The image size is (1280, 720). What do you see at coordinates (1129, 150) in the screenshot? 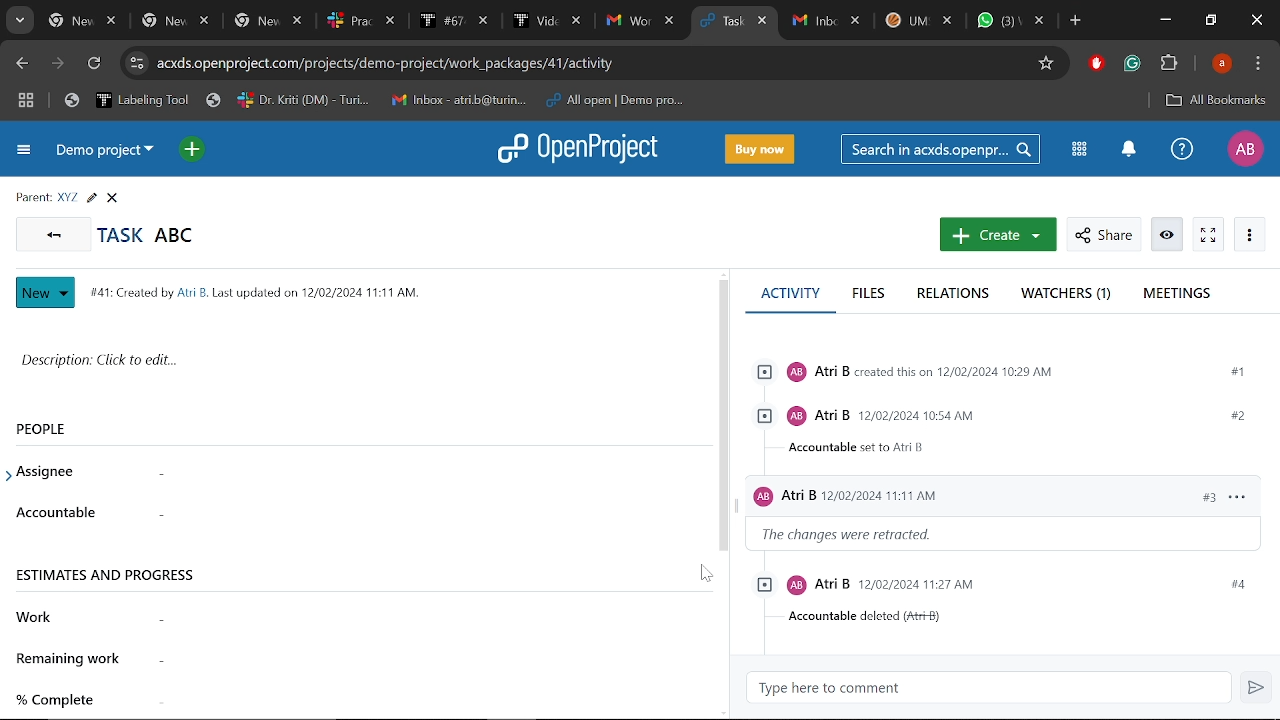
I see `Notifications` at bounding box center [1129, 150].